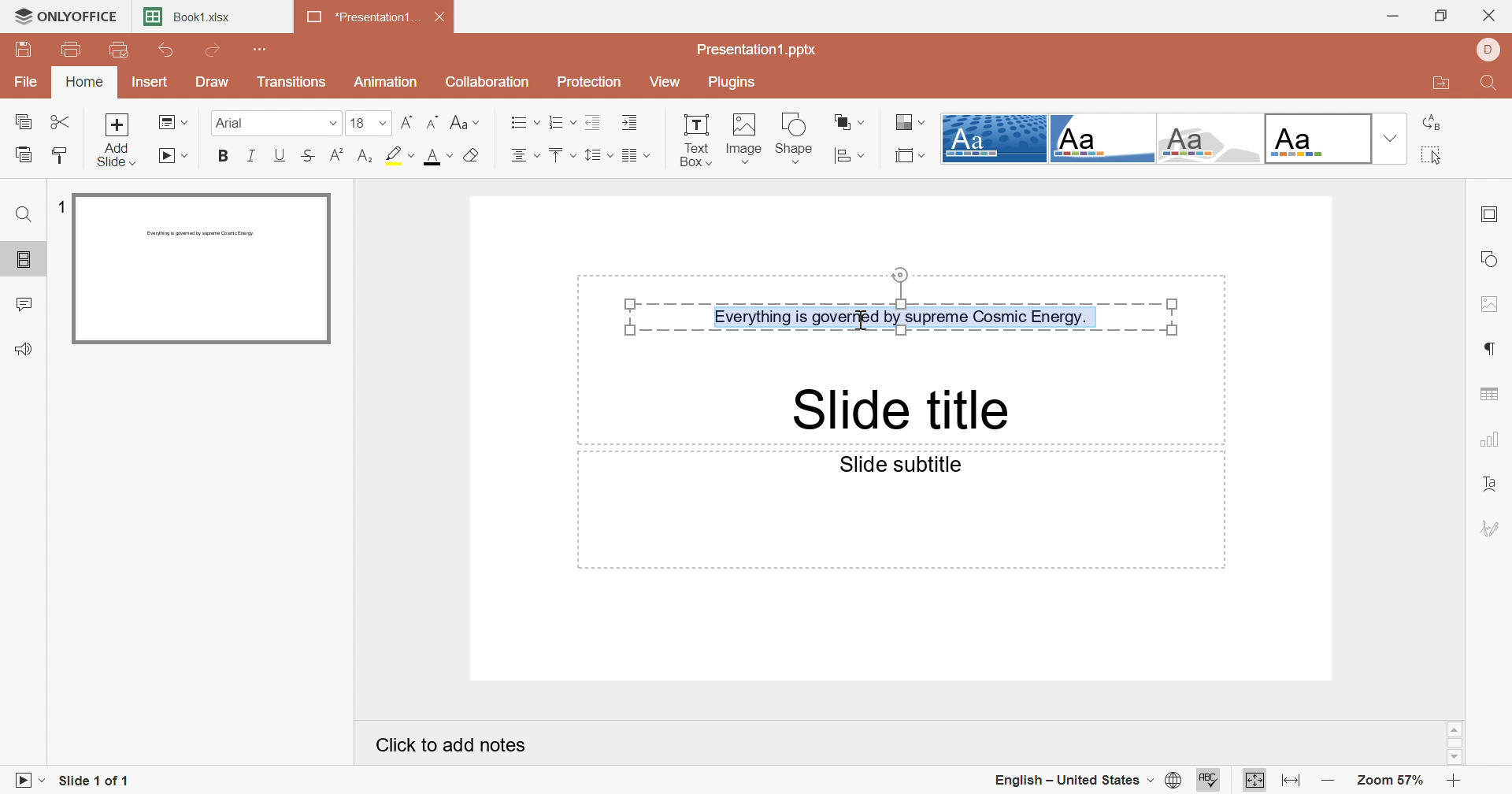  Describe the element at coordinates (744, 138) in the screenshot. I see `Image` at that location.